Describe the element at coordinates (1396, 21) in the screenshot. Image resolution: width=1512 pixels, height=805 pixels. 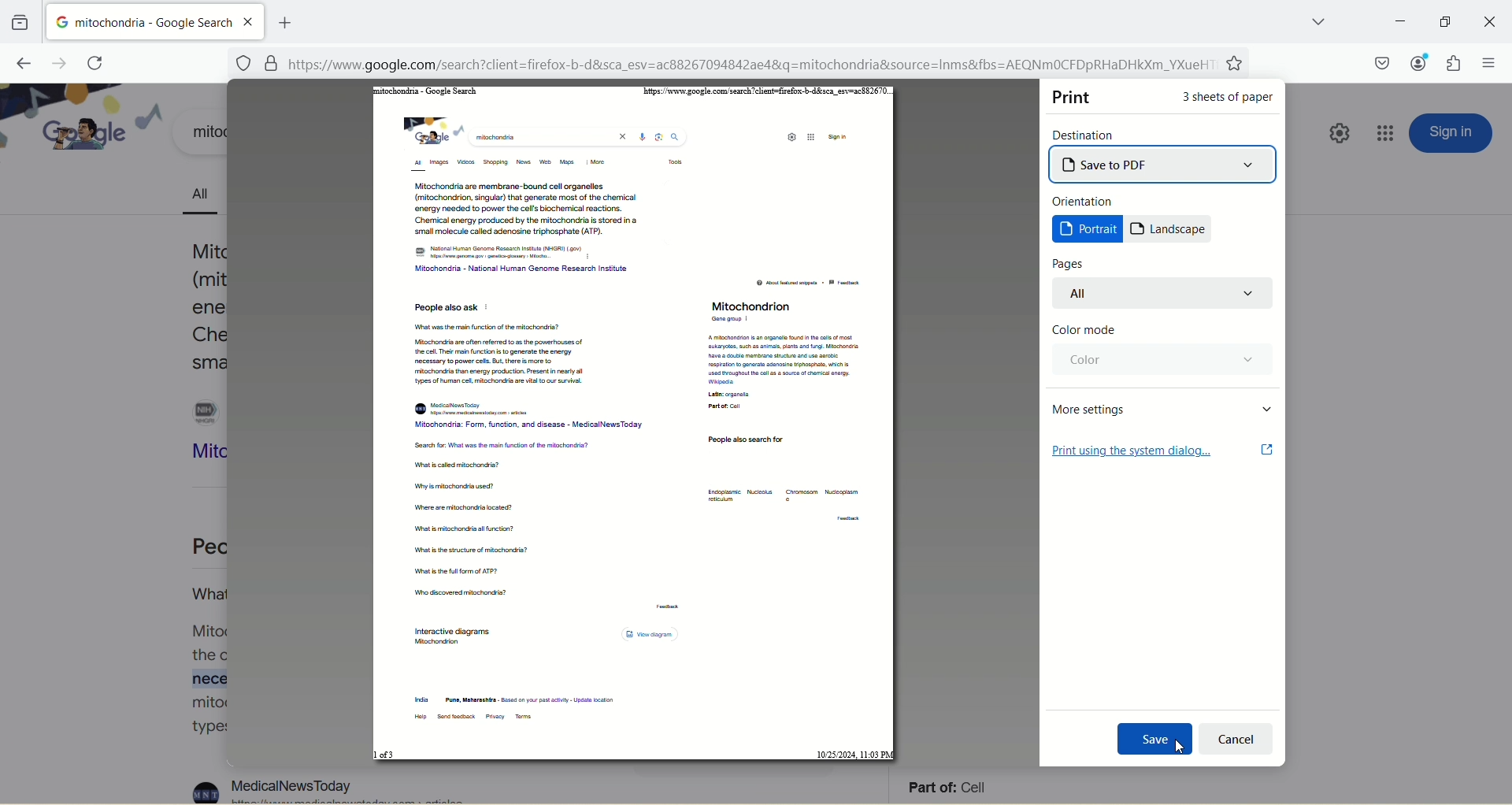
I see `minimize` at that location.